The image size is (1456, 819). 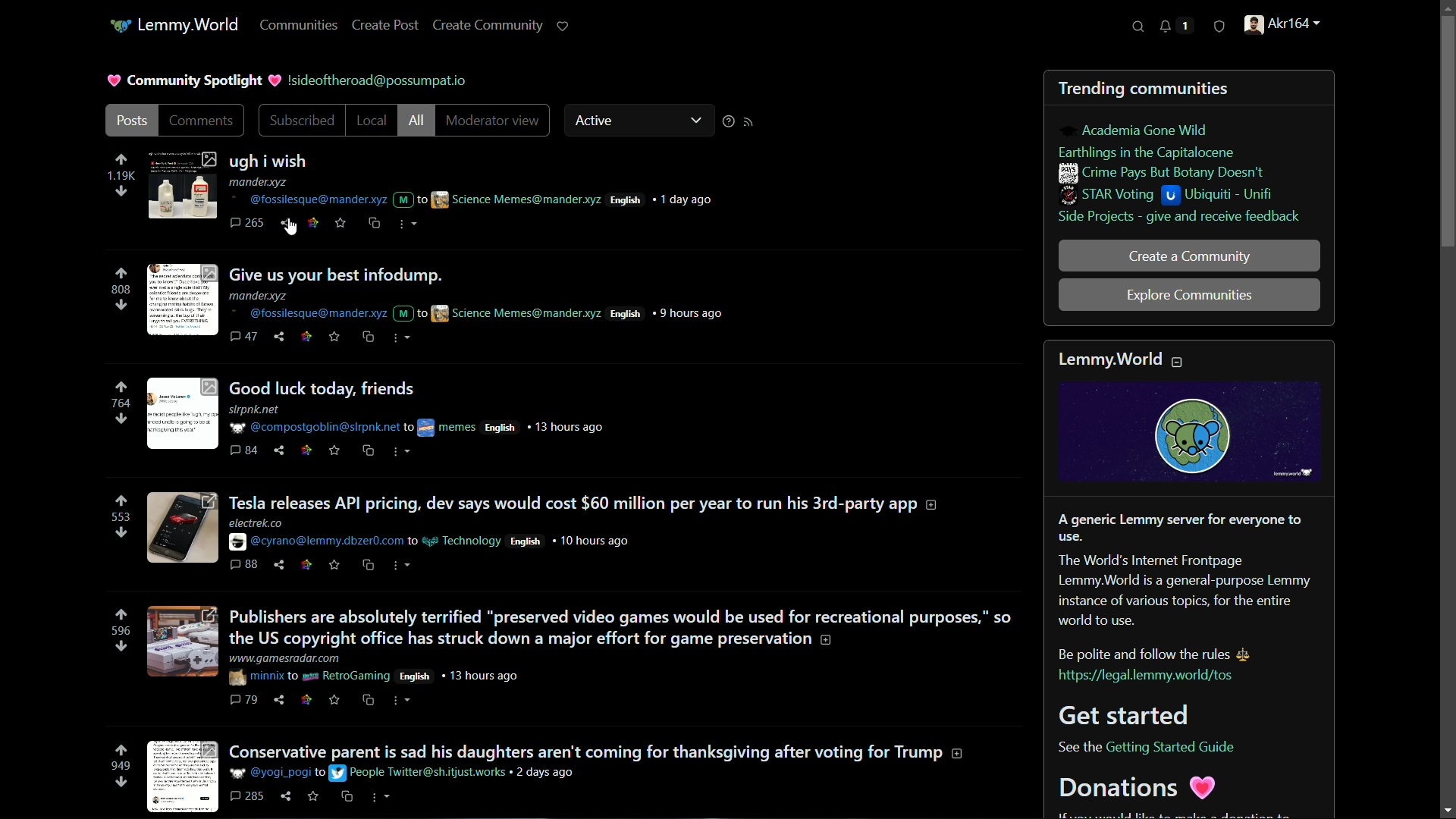 I want to click on 596, so click(x=119, y=632).